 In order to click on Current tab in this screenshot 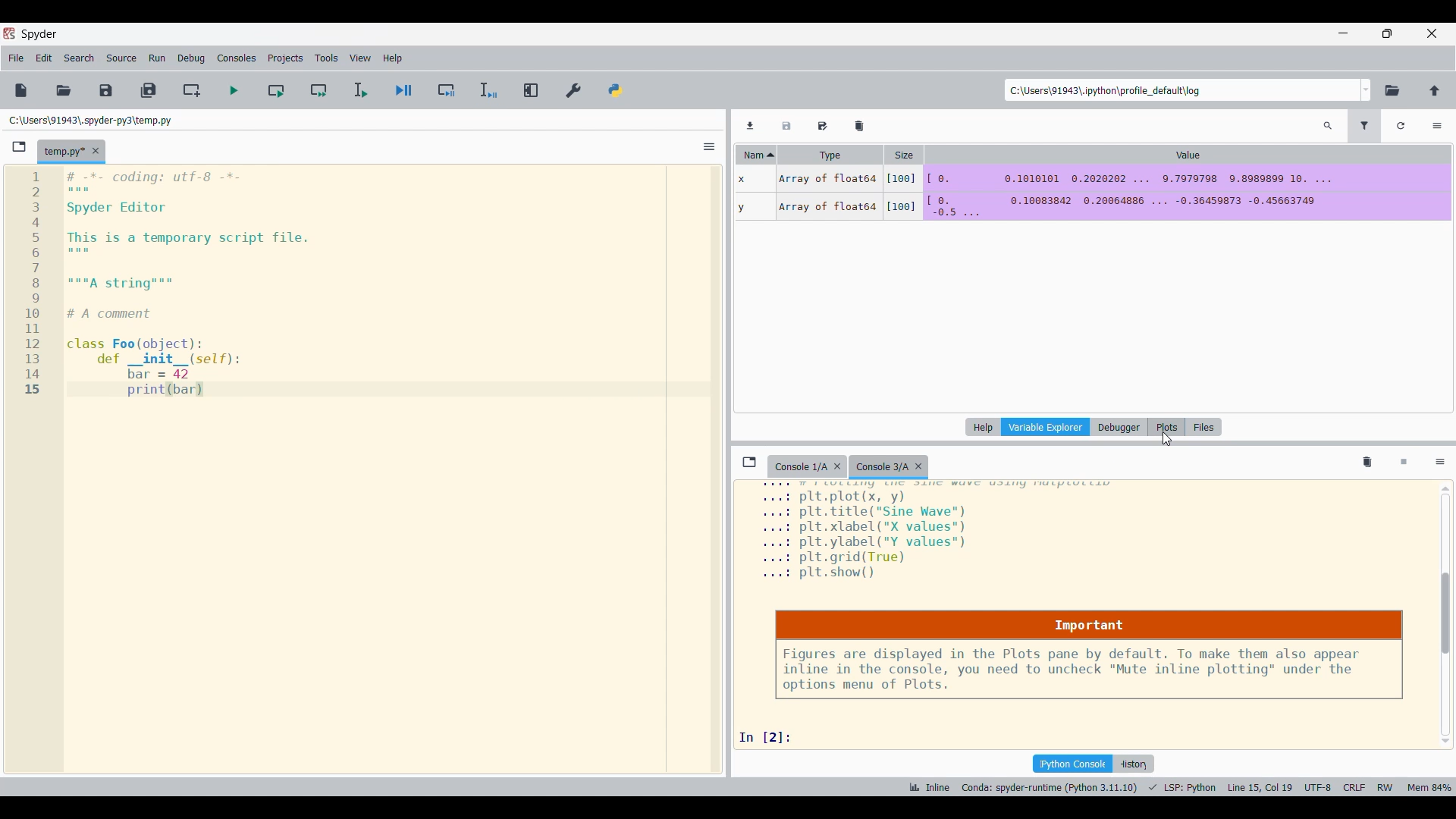, I will do `click(64, 152)`.